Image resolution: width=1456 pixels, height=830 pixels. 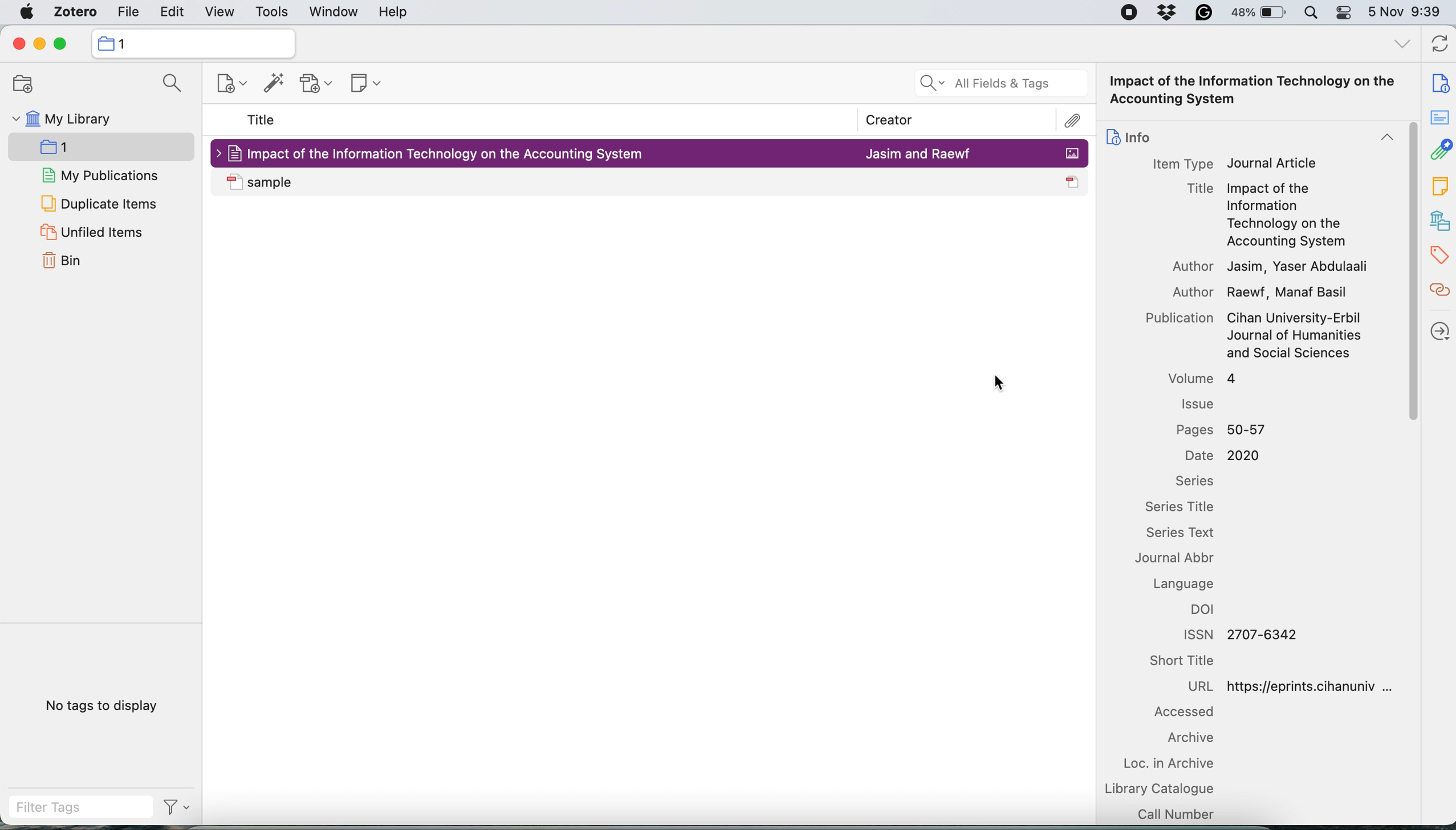 I want to click on language, so click(x=1186, y=583).